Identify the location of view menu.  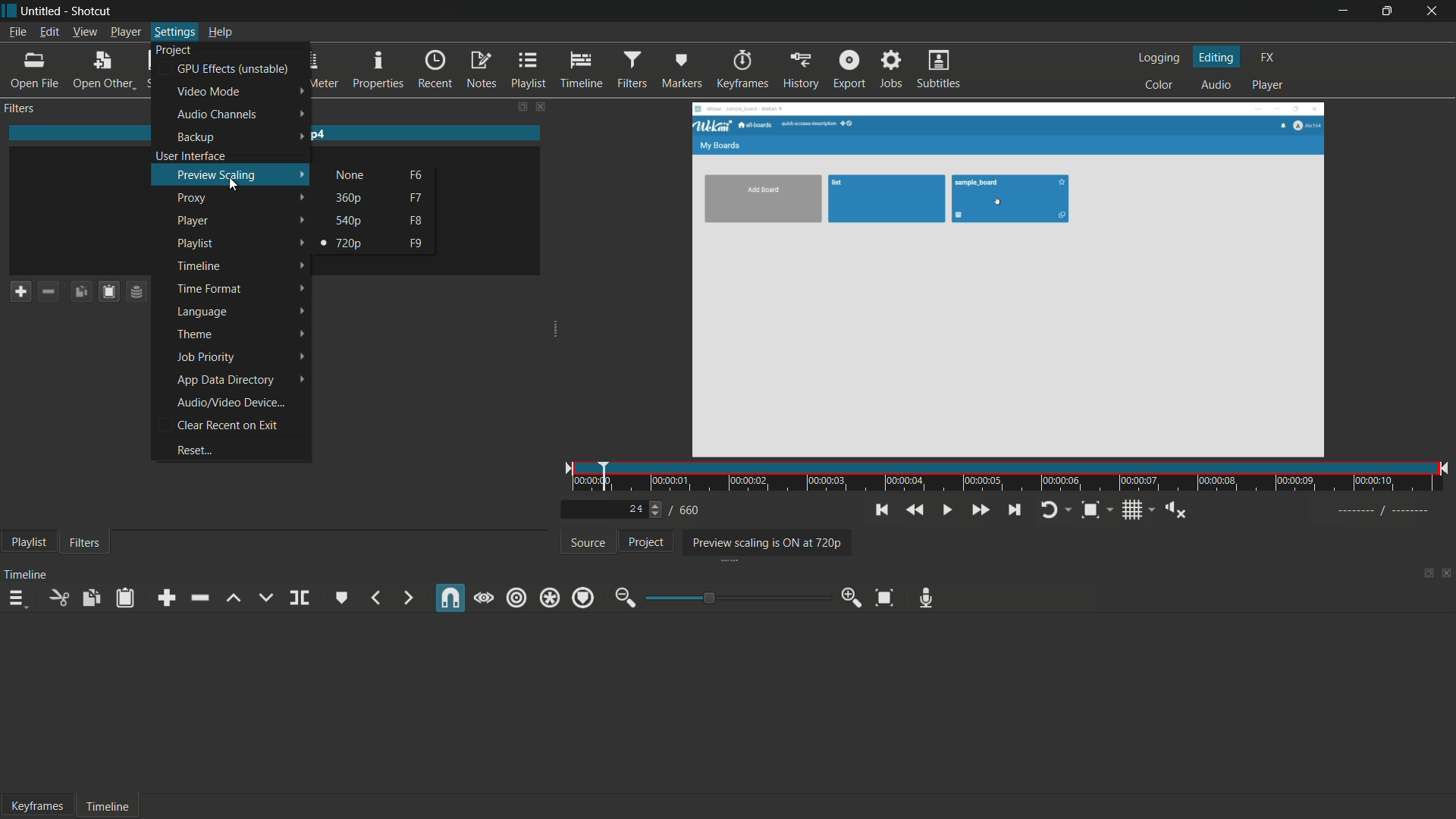
(84, 31).